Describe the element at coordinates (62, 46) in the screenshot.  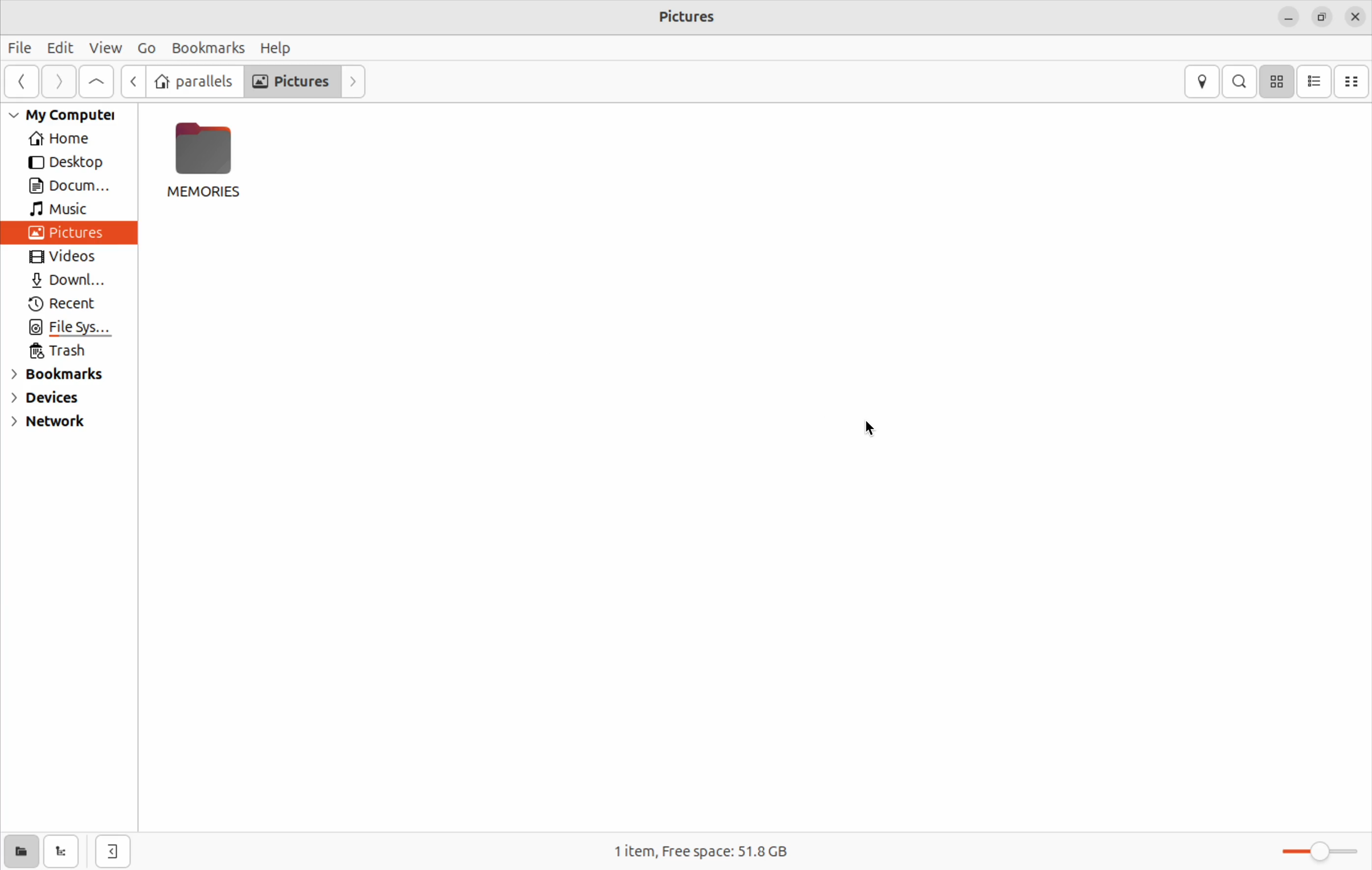
I see `Edit` at that location.